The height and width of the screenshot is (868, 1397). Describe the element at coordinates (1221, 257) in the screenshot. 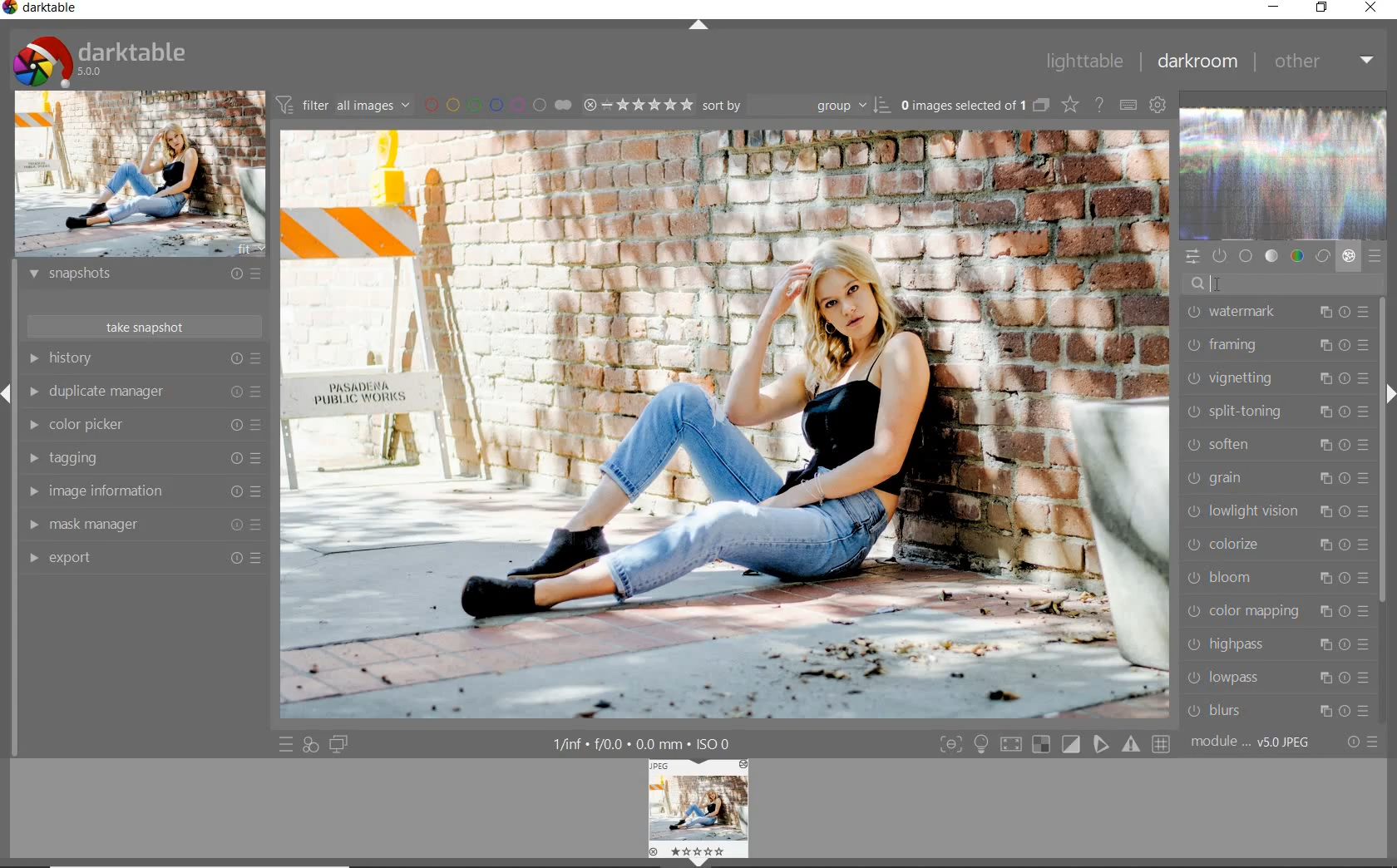

I see `show only active modules` at that location.